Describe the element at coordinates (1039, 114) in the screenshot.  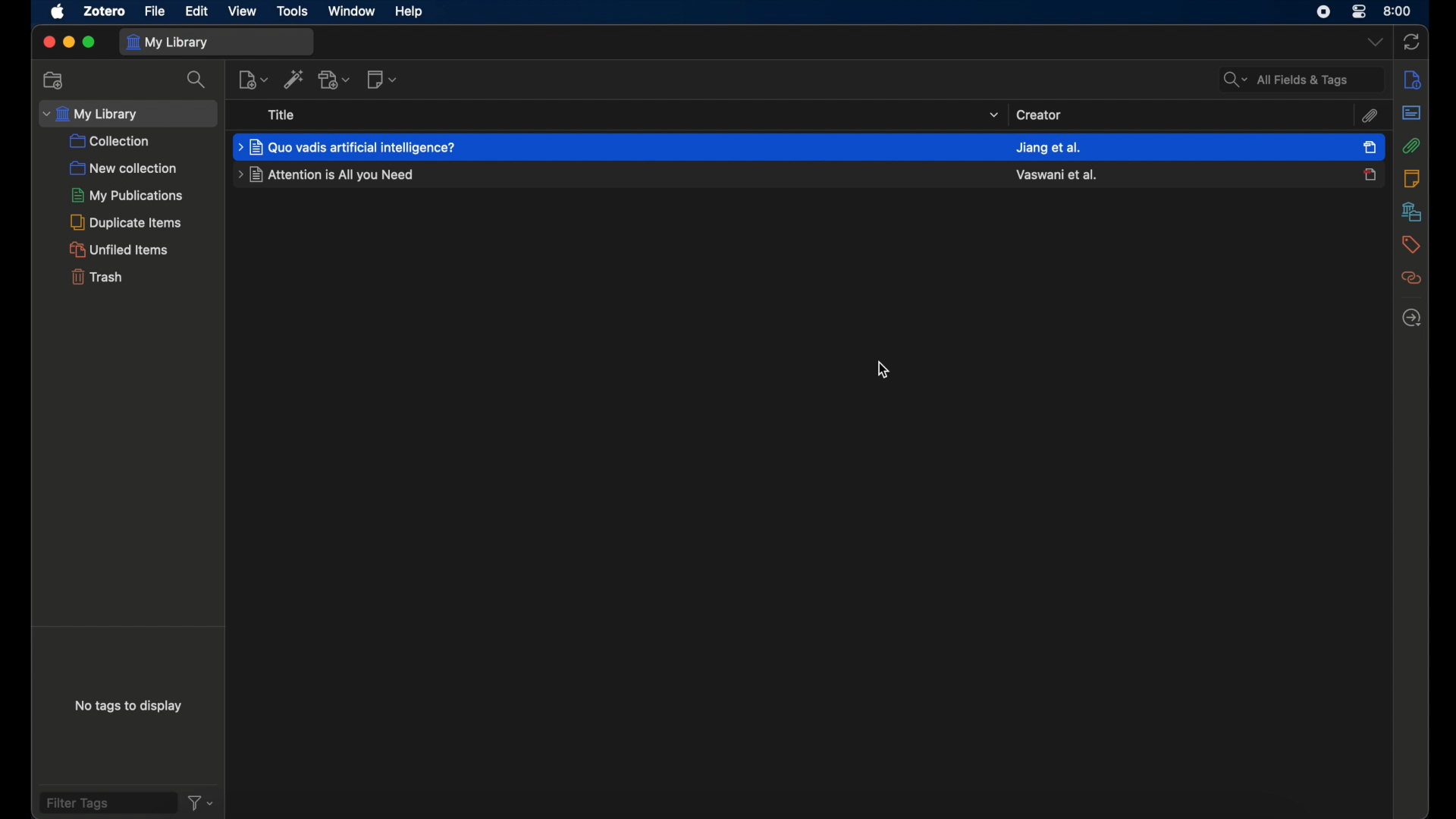
I see `creator` at that location.